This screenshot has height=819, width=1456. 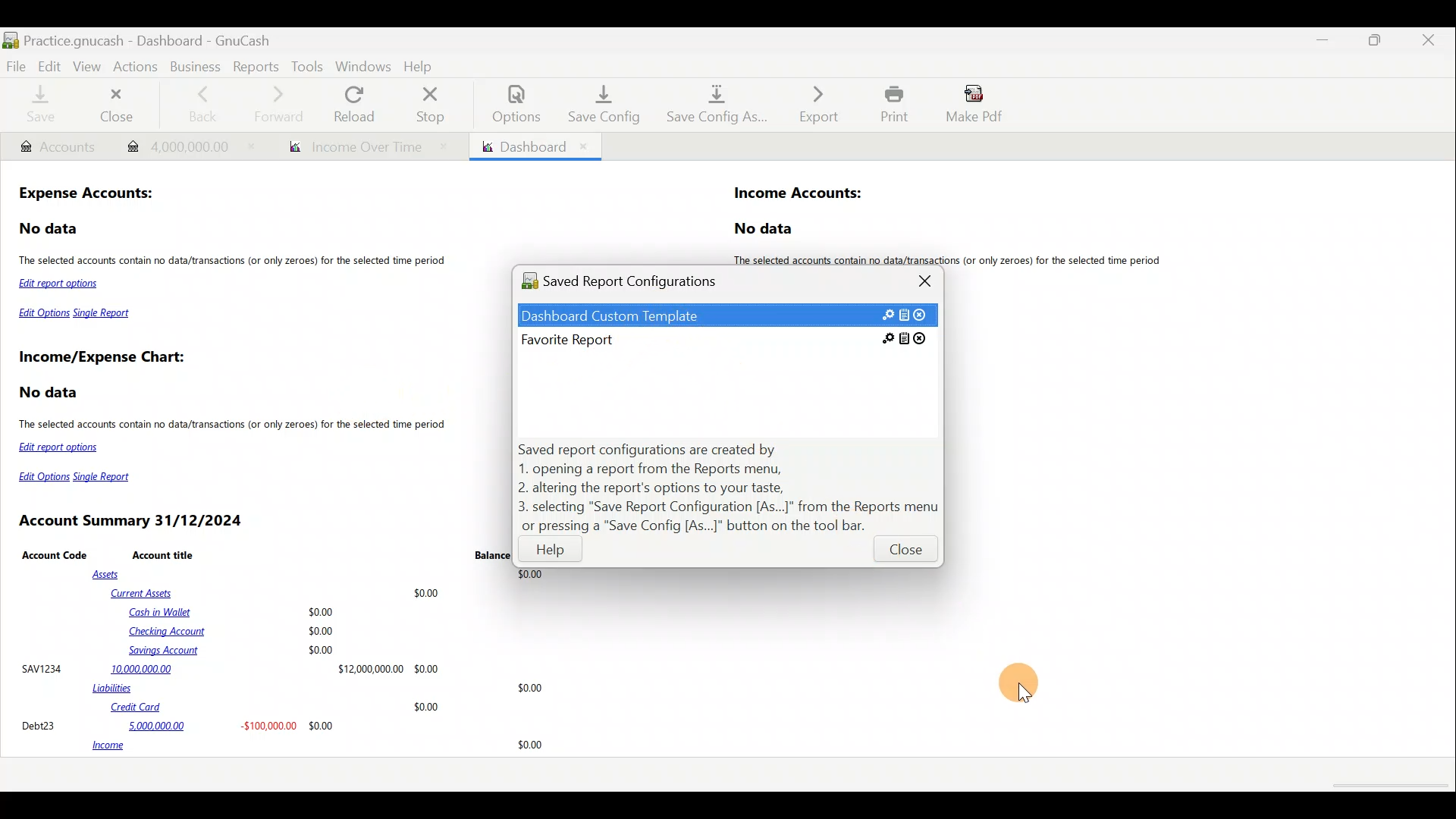 I want to click on Account, so click(x=57, y=147).